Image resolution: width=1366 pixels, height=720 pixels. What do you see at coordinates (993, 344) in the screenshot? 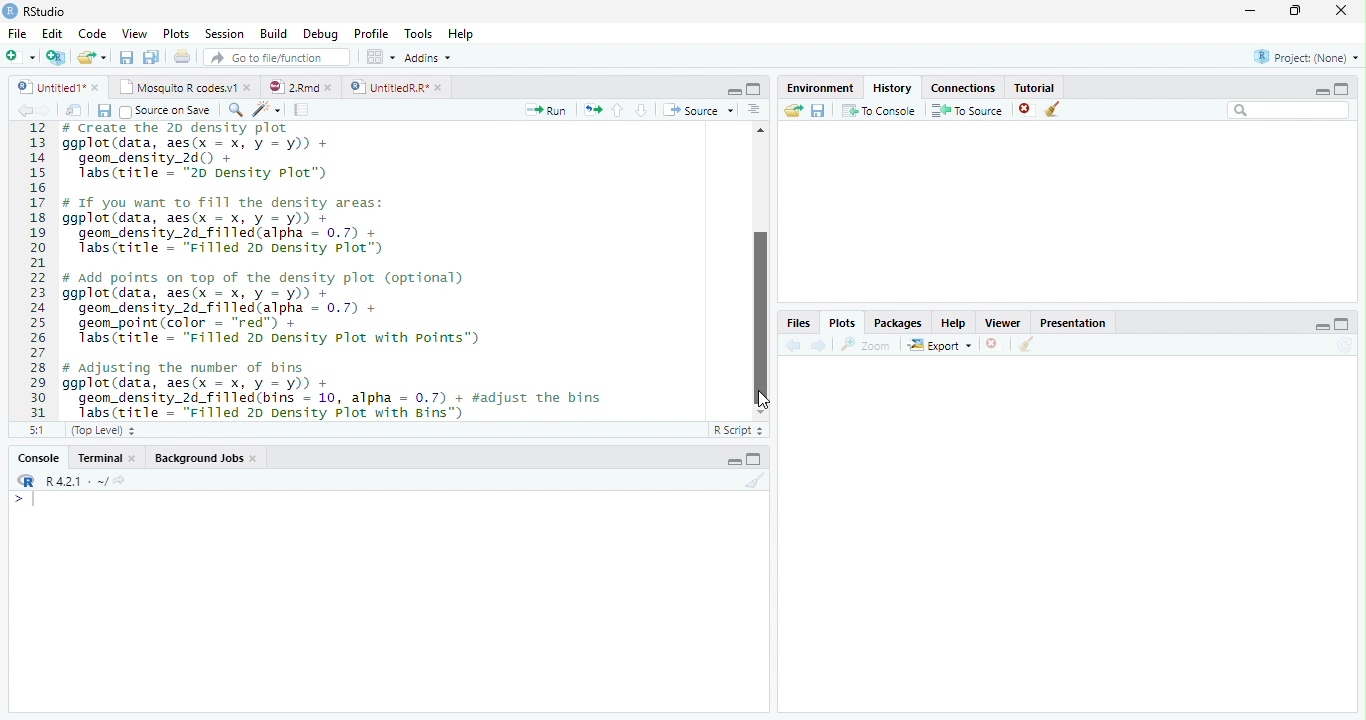
I see `close` at bounding box center [993, 344].